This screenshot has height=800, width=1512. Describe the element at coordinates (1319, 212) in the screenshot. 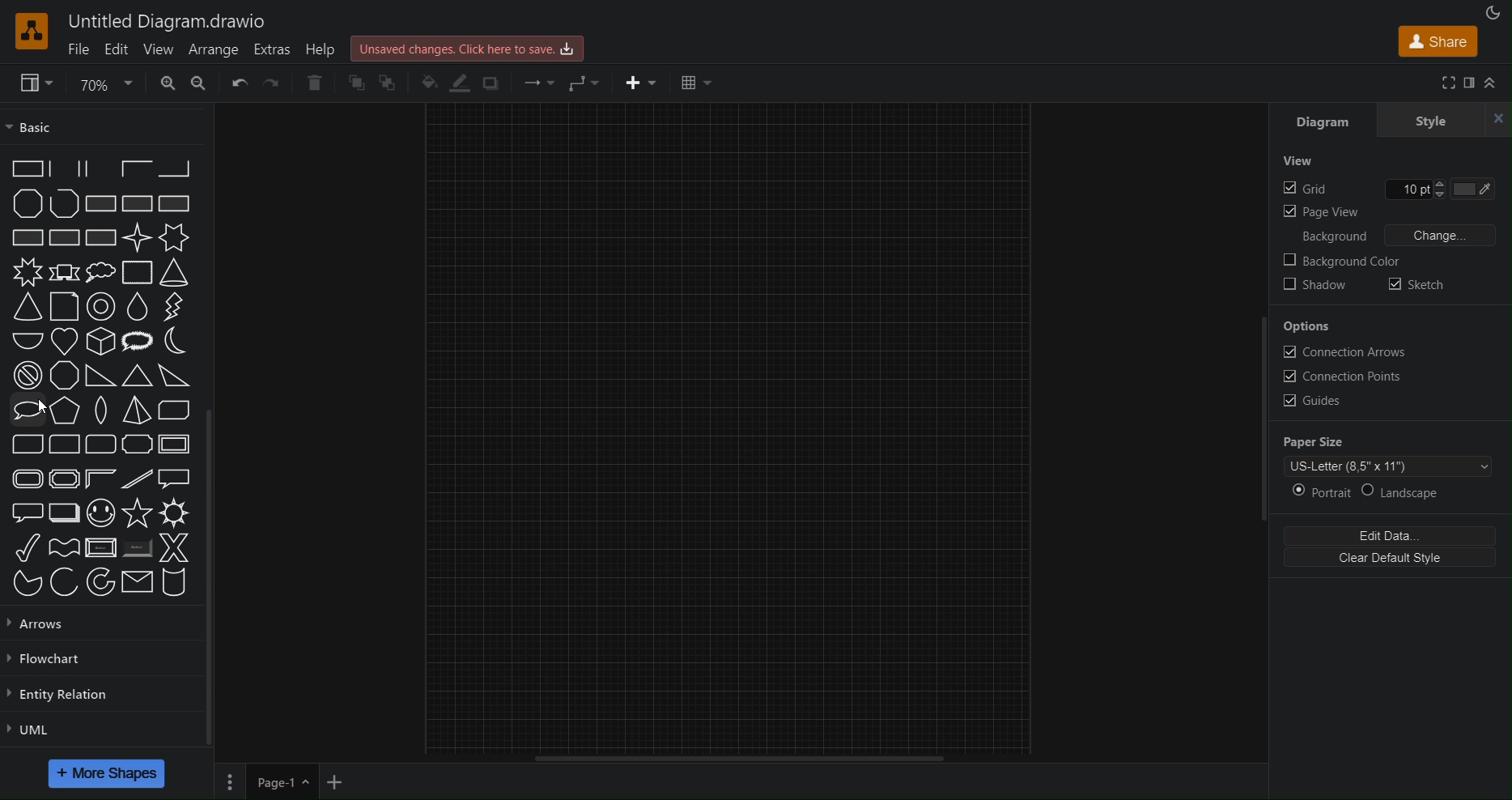

I see `Page View` at that location.